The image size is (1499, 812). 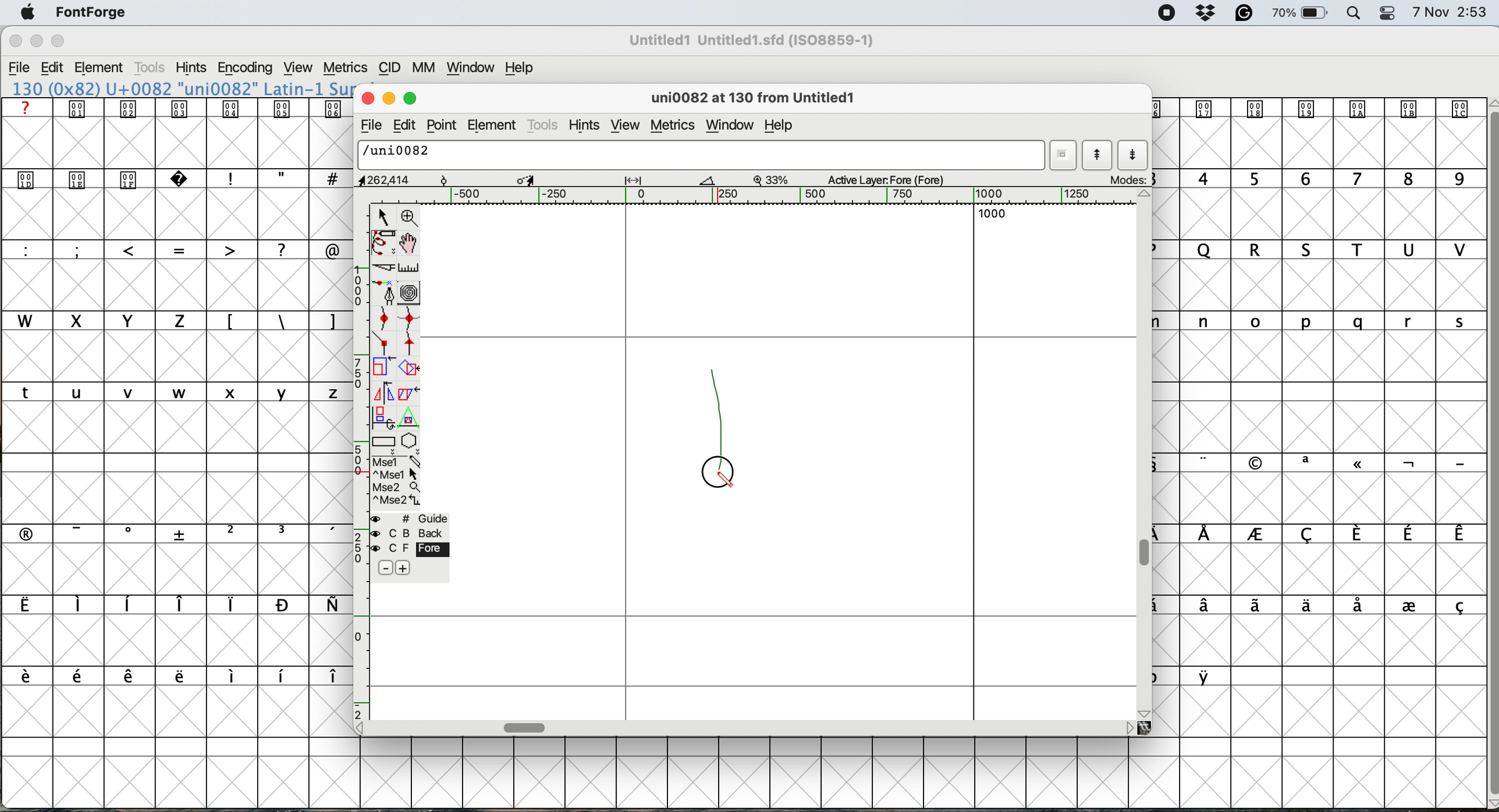 What do you see at coordinates (702, 156) in the screenshot?
I see `glyph` at bounding box center [702, 156].